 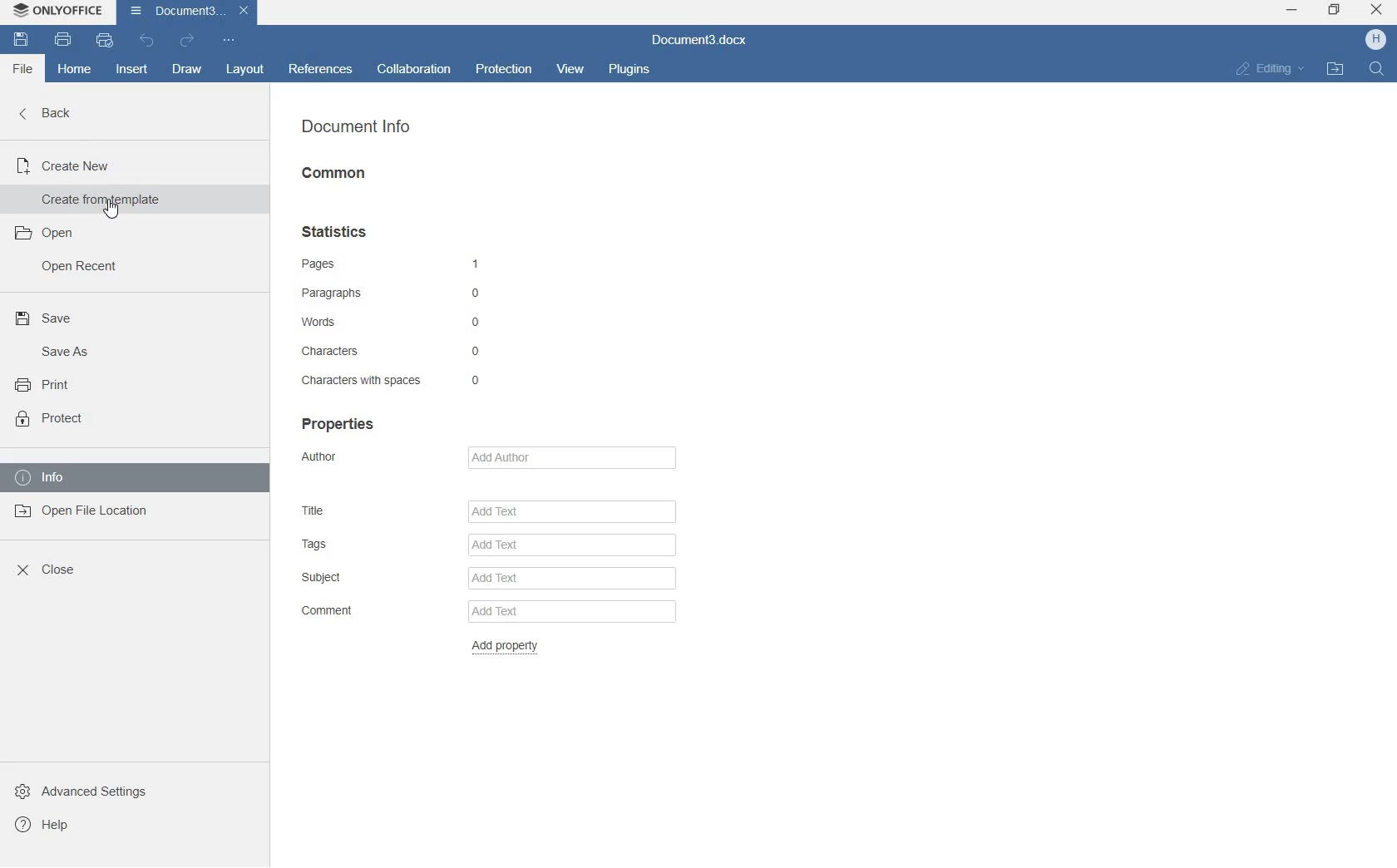 What do you see at coordinates (573, 578) in the screenshot?
I see `add text` at bounding box center [573, 578].